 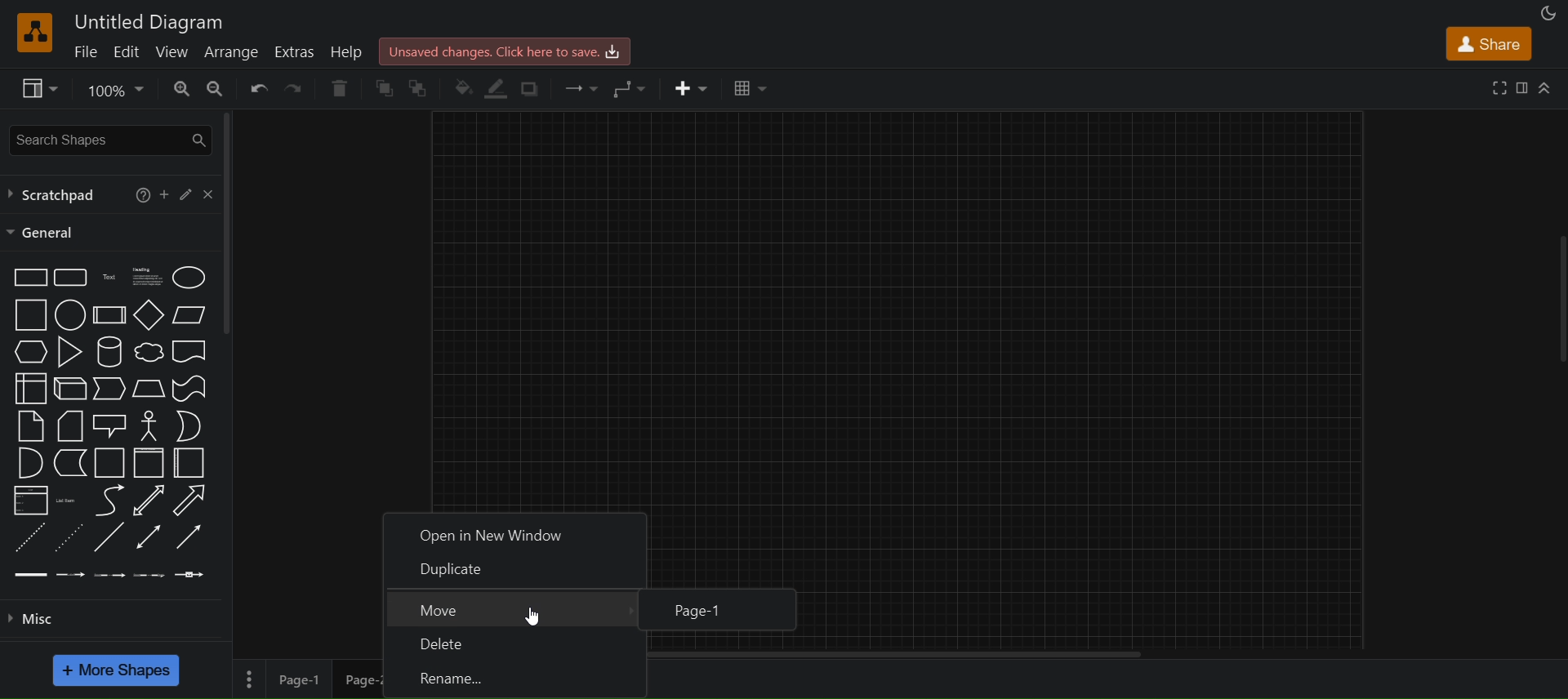 What do you see at coordinates (66, 538) in the screenshot?
I see `dotted line` at bounding box center [66, 538].